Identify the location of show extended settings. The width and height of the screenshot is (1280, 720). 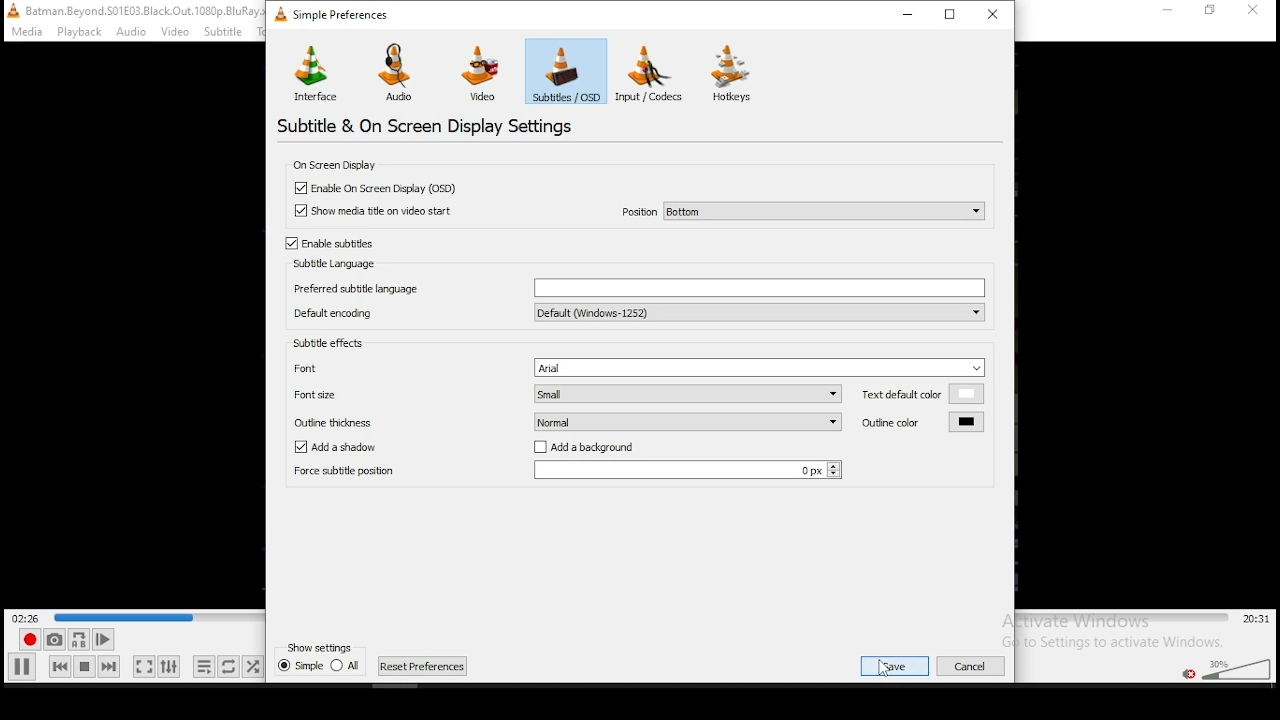
(168, 667).